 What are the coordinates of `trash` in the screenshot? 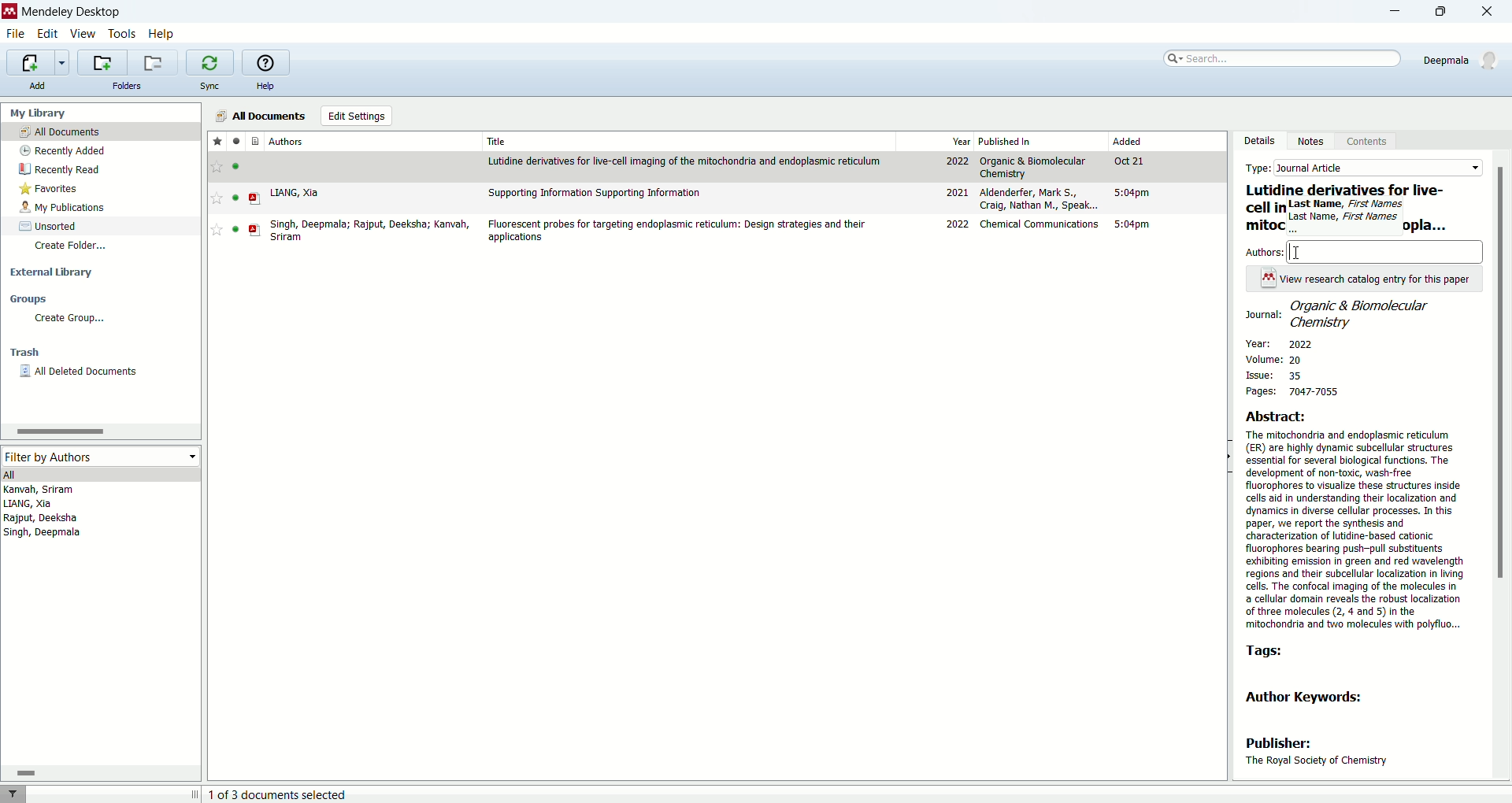 It's located at (25, 350).